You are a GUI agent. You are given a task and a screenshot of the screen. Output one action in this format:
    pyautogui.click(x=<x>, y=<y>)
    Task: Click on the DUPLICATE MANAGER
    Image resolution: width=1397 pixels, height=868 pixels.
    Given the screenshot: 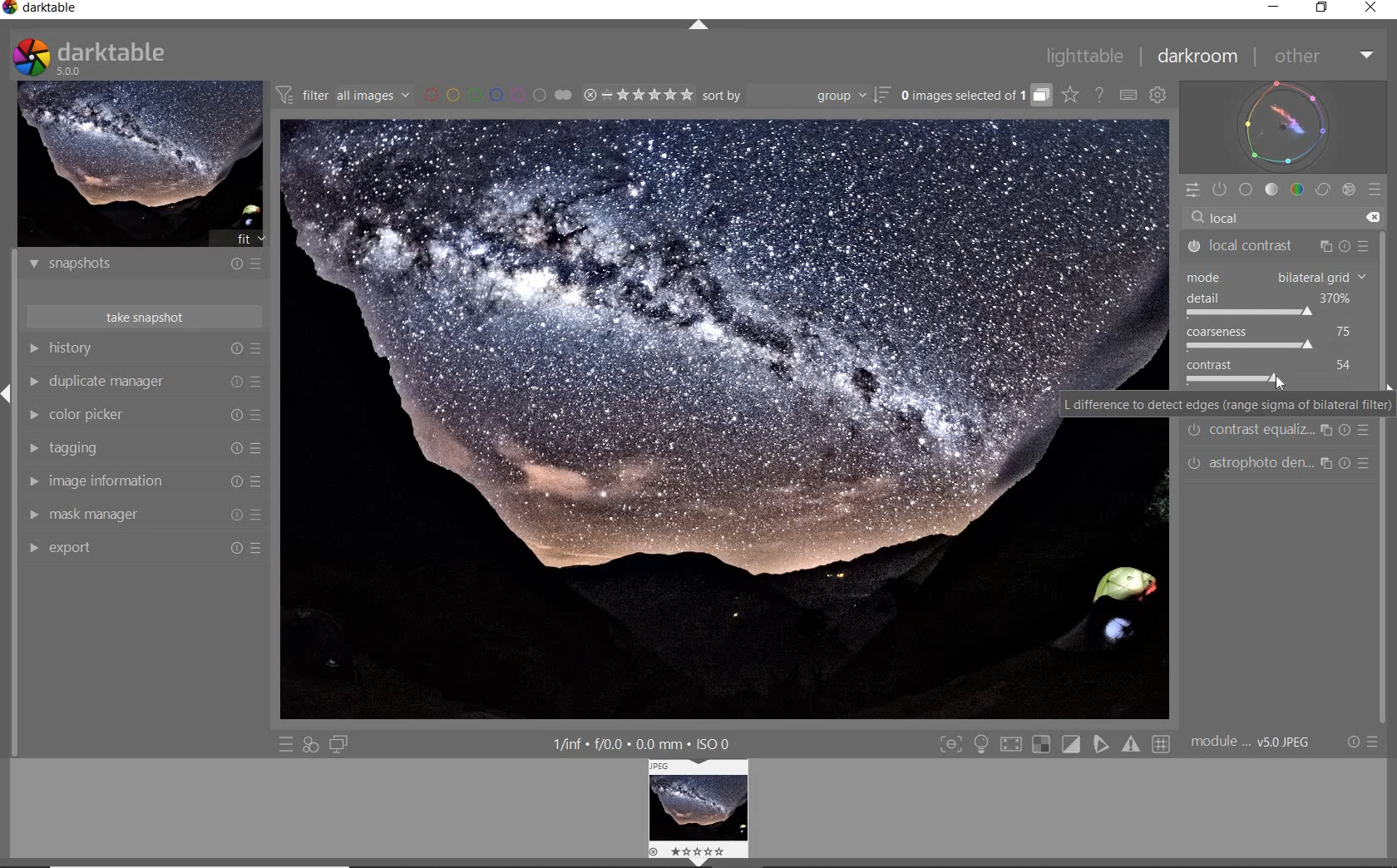 What is the action you would take?
    pyautogui.click(x=36, y=382)
    